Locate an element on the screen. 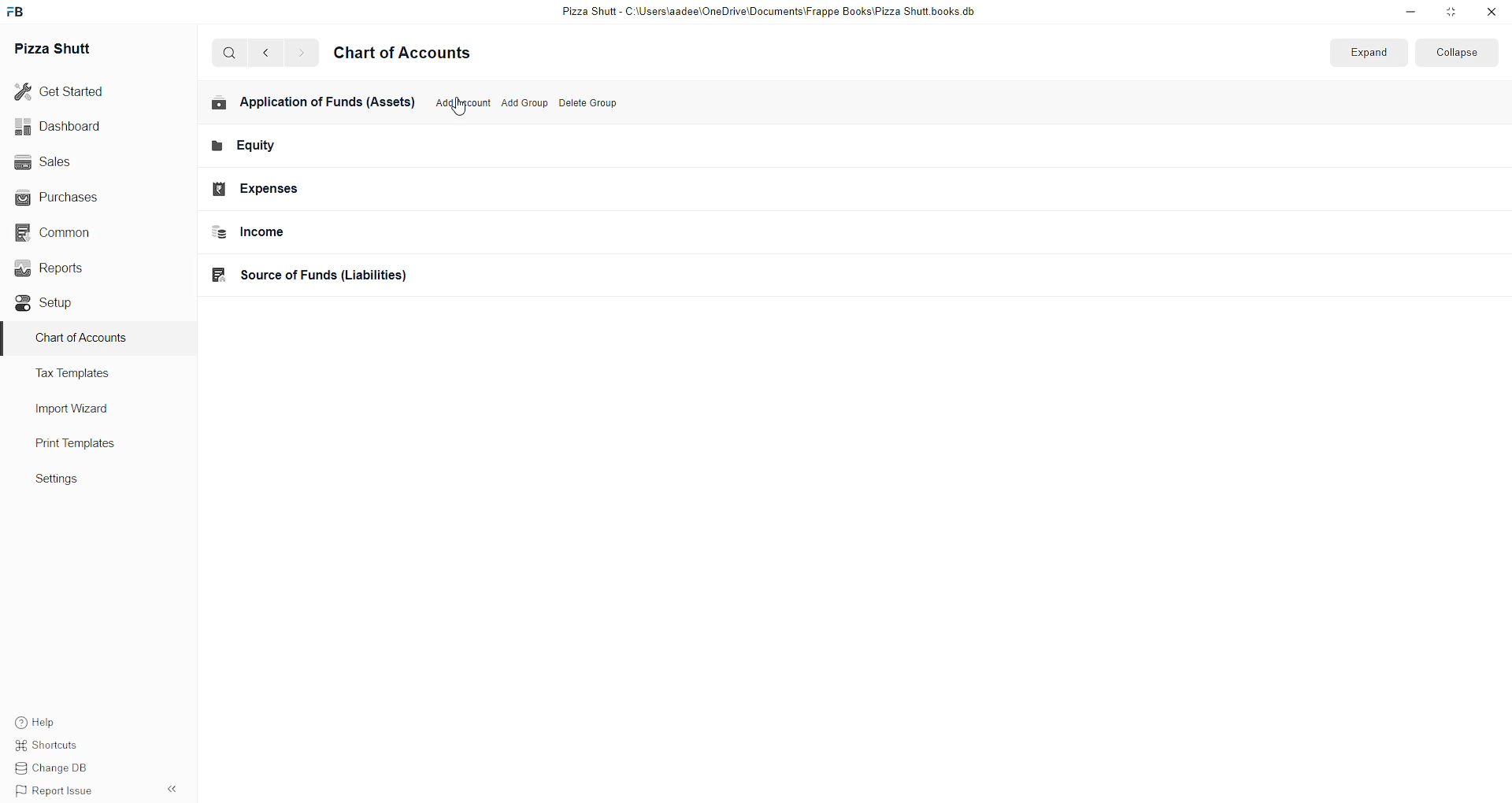  Common  is located at coordinates (67, 232).